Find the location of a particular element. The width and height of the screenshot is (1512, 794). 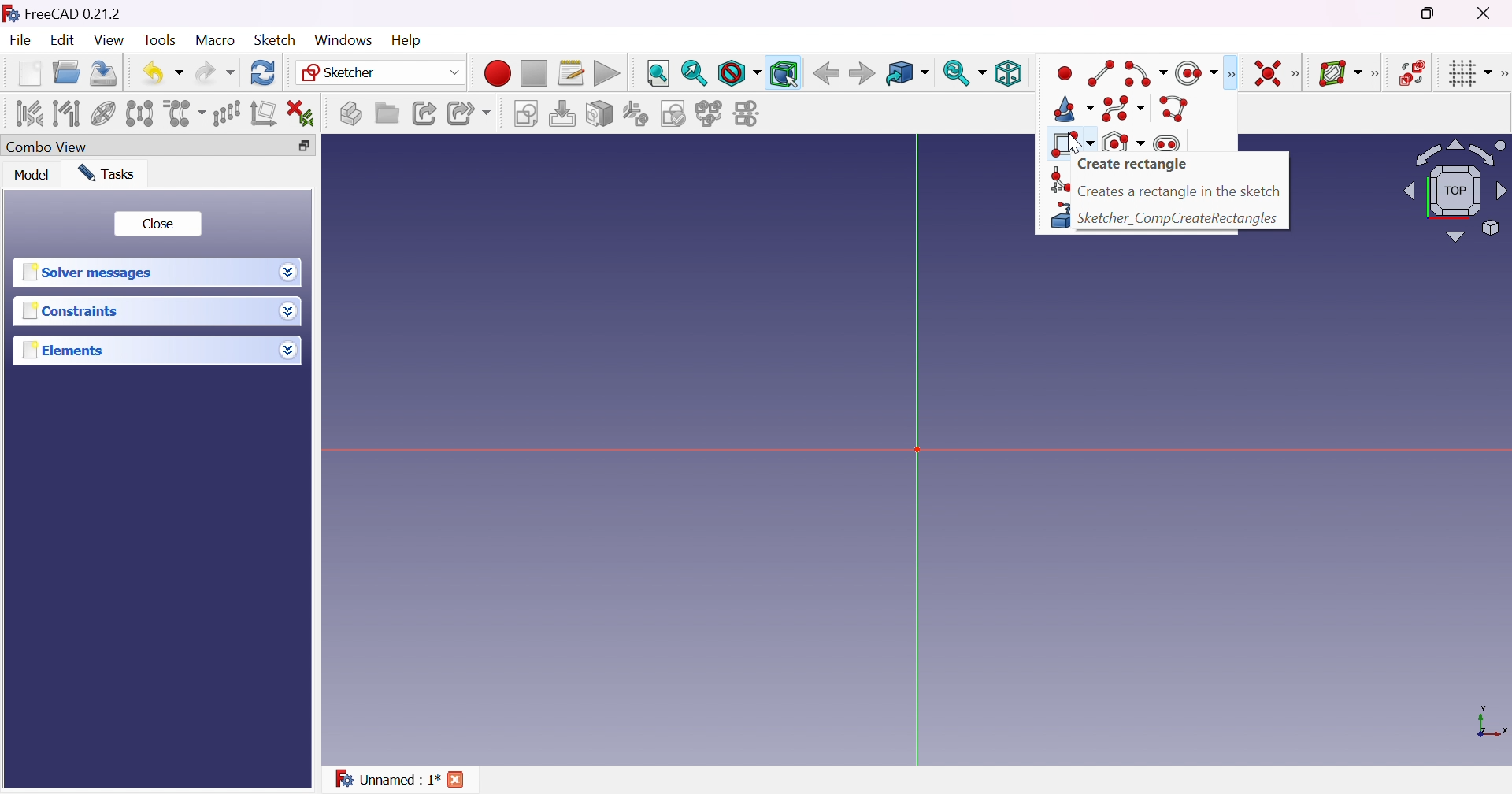

Create sketch is located at coordinates (524, 113).